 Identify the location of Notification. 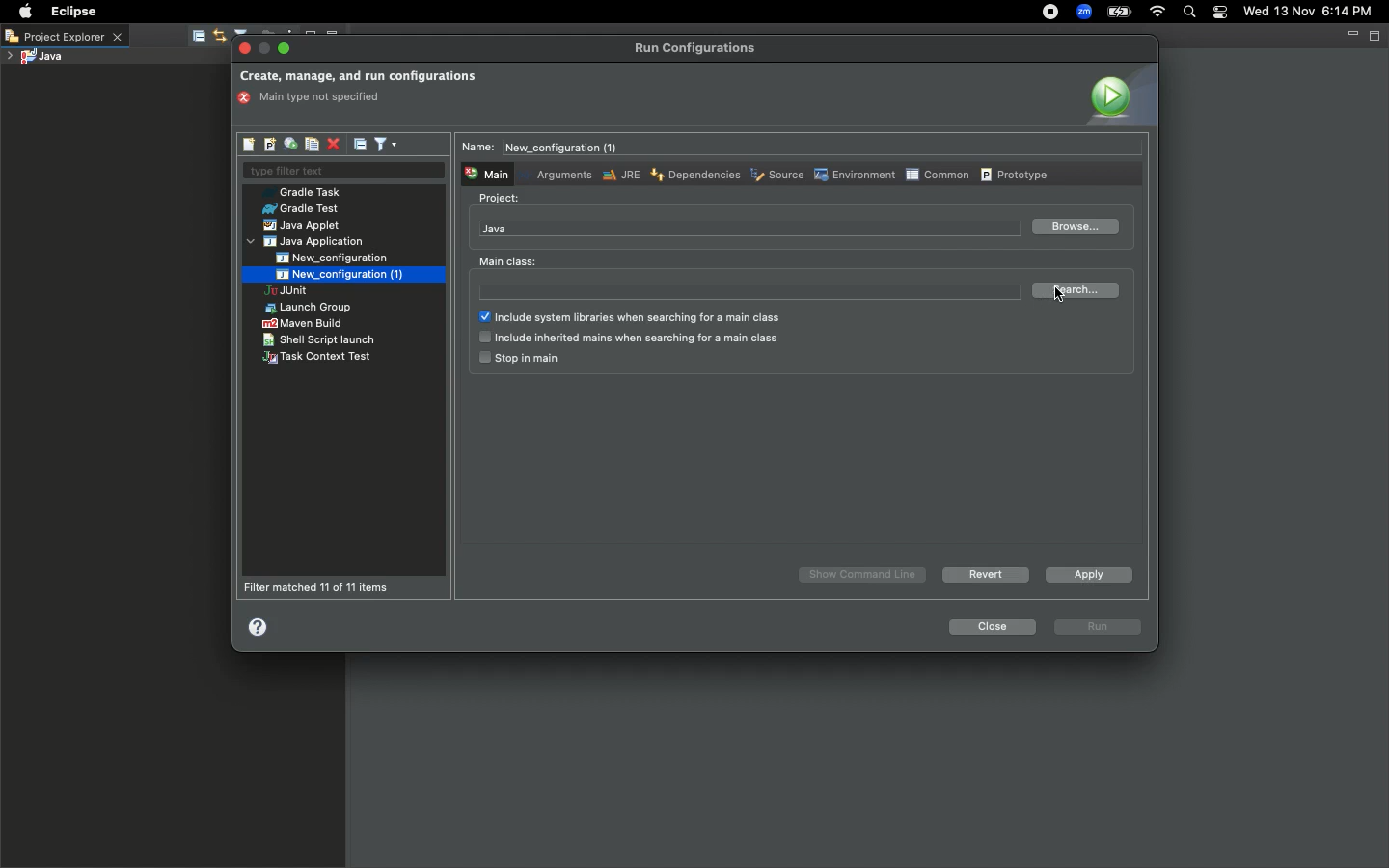
(1221, 13).